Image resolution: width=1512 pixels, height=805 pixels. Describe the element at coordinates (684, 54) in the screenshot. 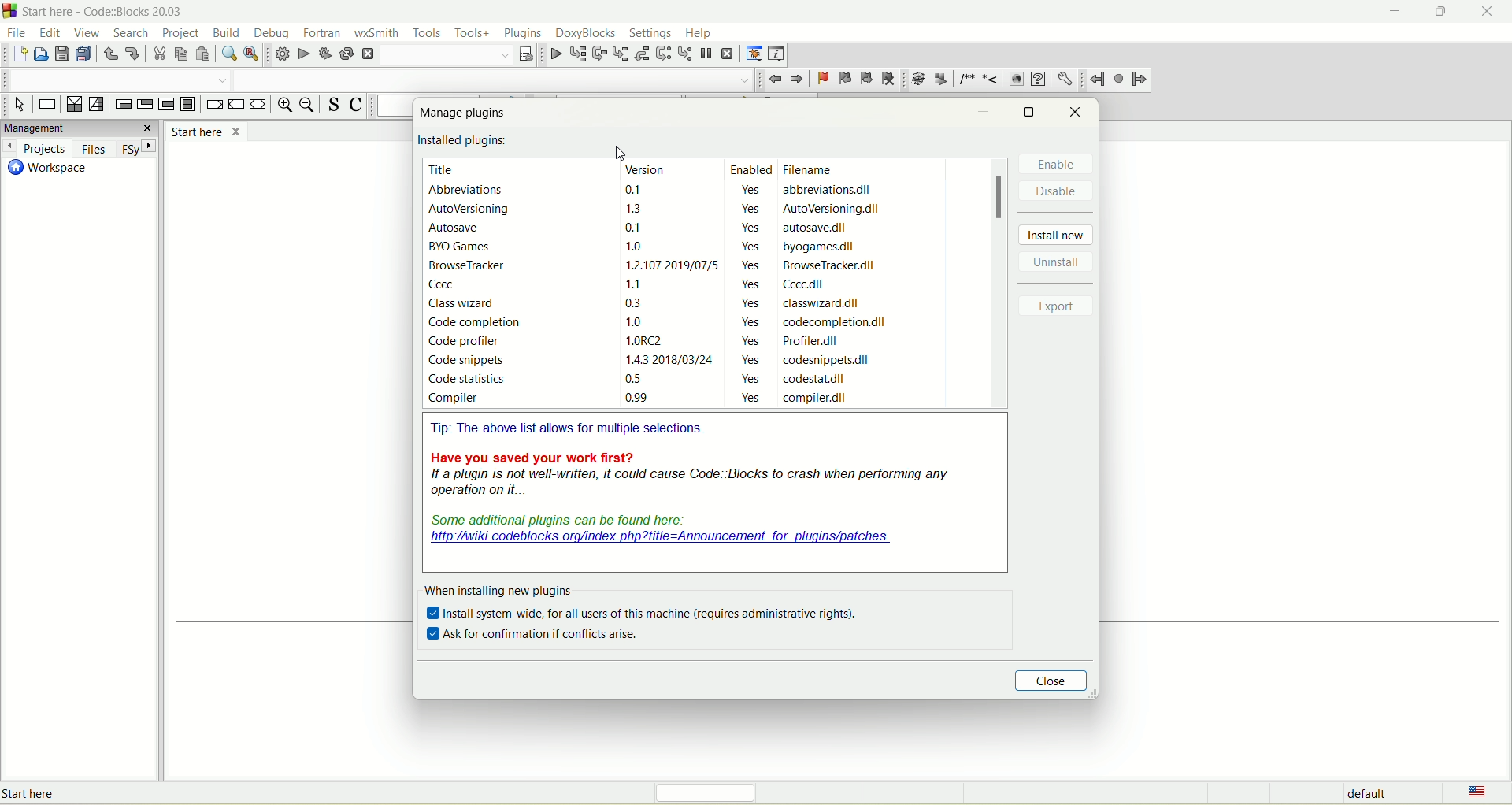

I see `step into instructions` at that location.